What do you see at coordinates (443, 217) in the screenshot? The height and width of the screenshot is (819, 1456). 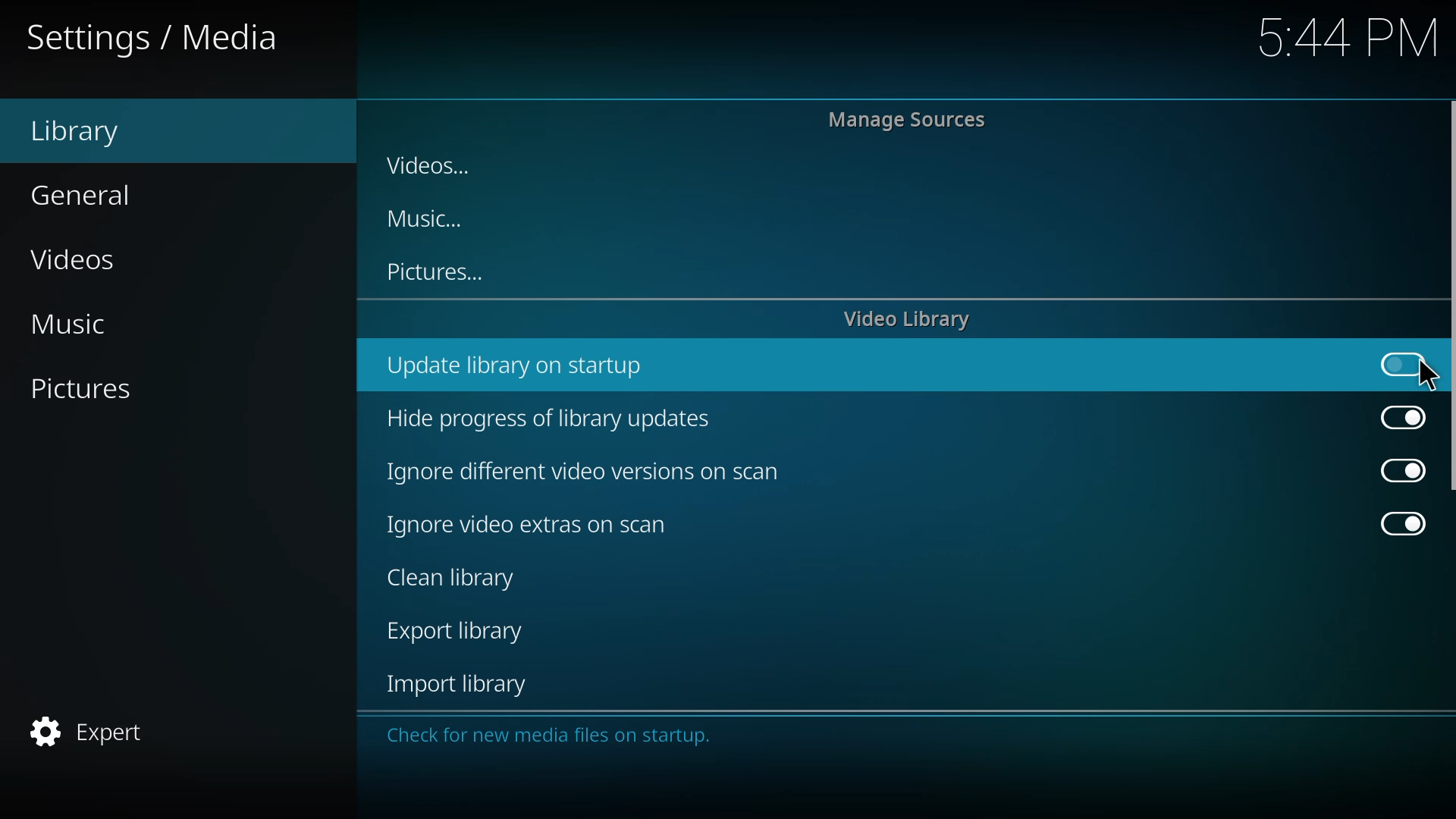 I see `music` at bounding box center [443, 217].